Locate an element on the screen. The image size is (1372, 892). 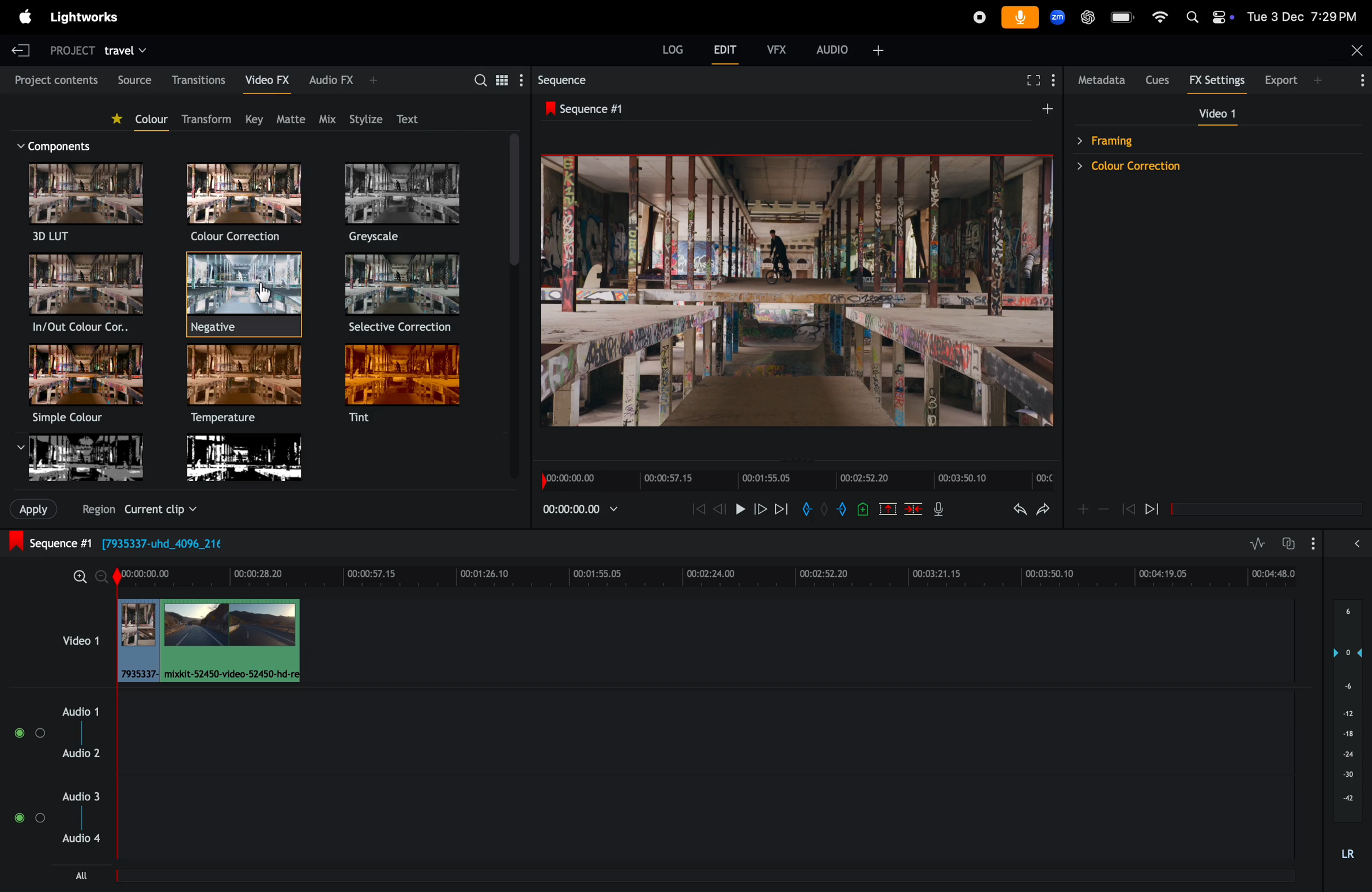
battery is located at coordinates (1123, 17).